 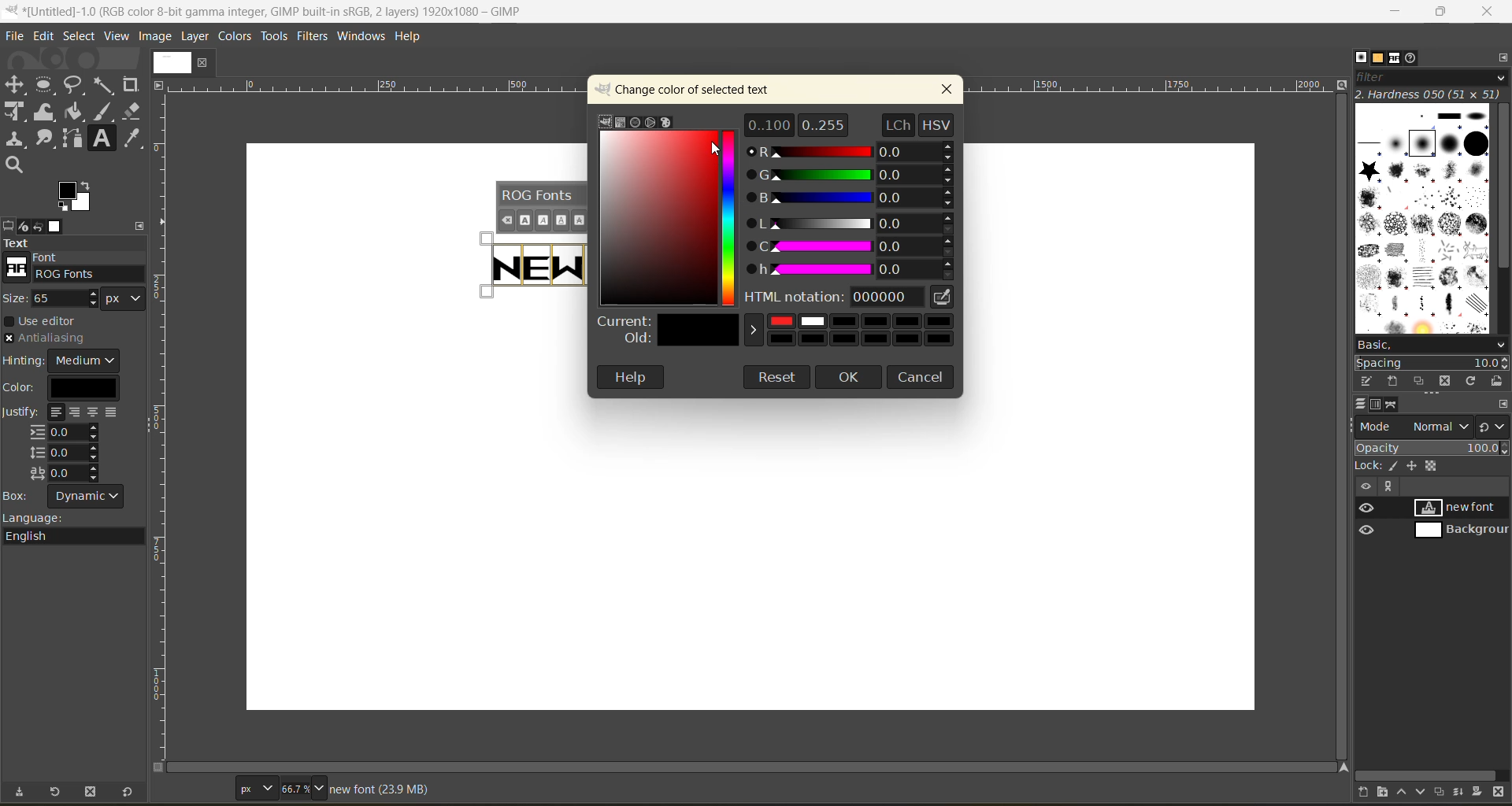 I want to click on configure, so click(x=1503, y=60).